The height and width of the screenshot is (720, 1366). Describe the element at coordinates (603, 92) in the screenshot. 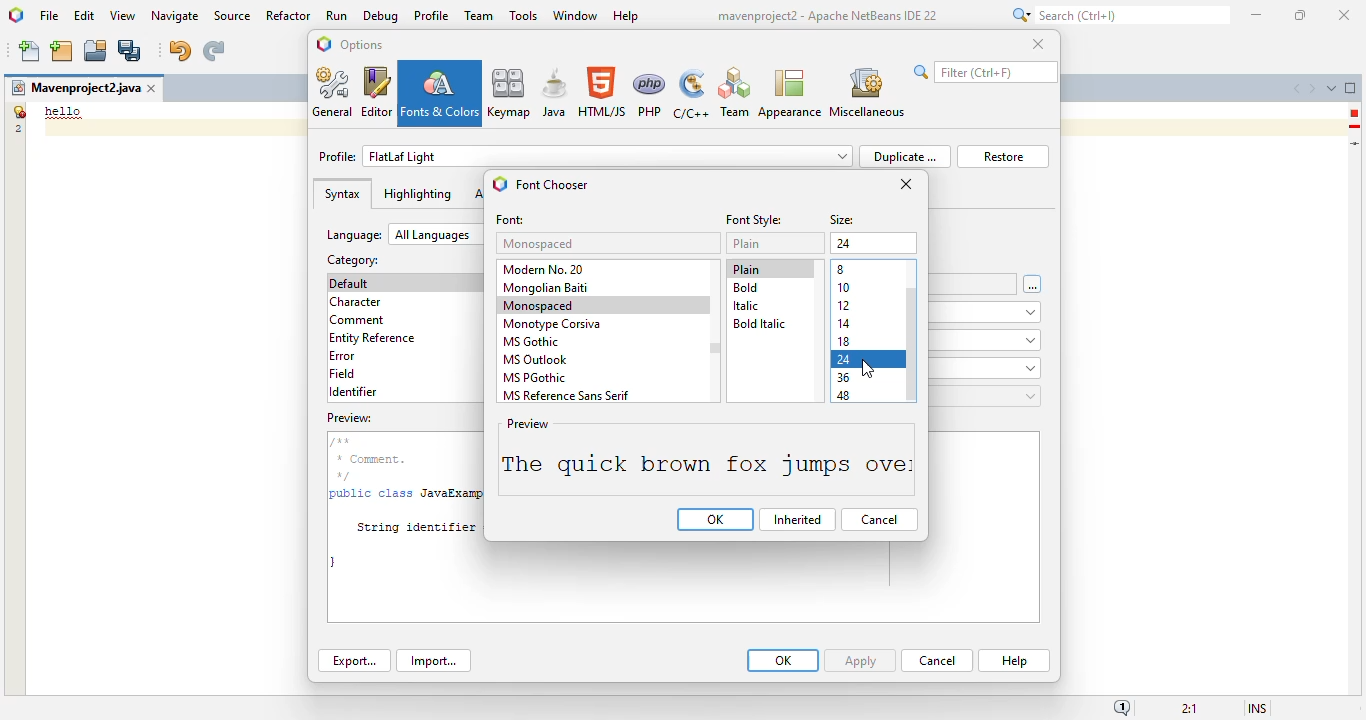

I see `HTML/JS` at that location.